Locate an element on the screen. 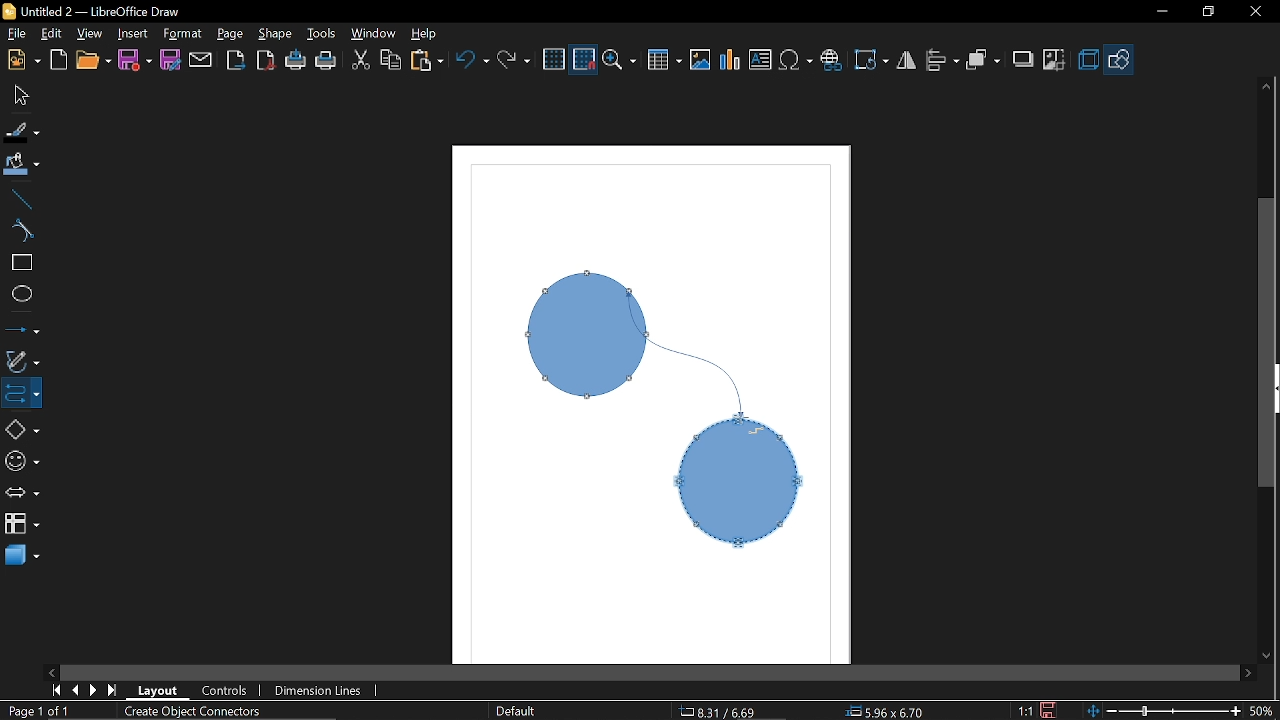  Arrows is located at coordinates (22, 495).